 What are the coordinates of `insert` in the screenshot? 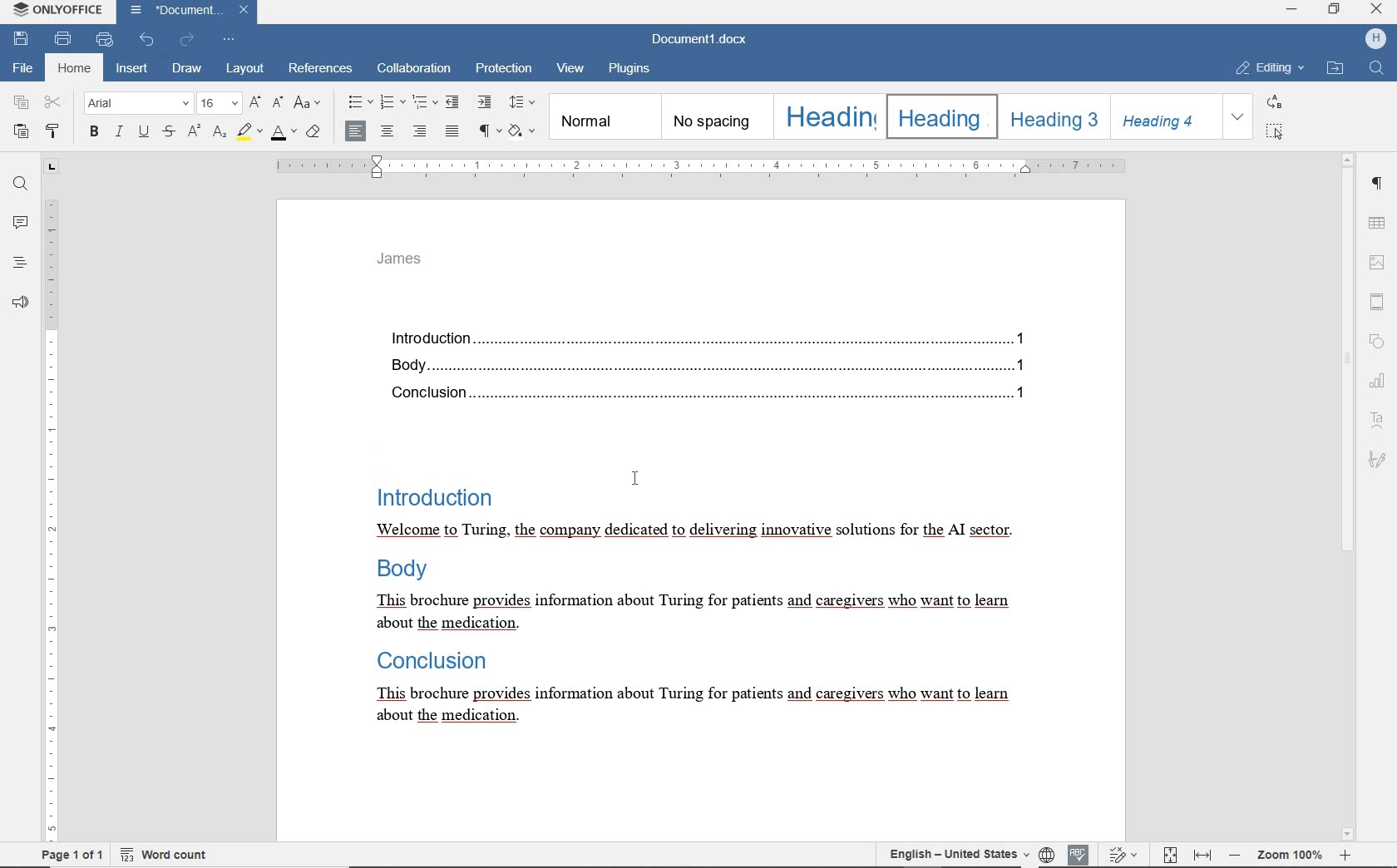 It's located at (131, 69).